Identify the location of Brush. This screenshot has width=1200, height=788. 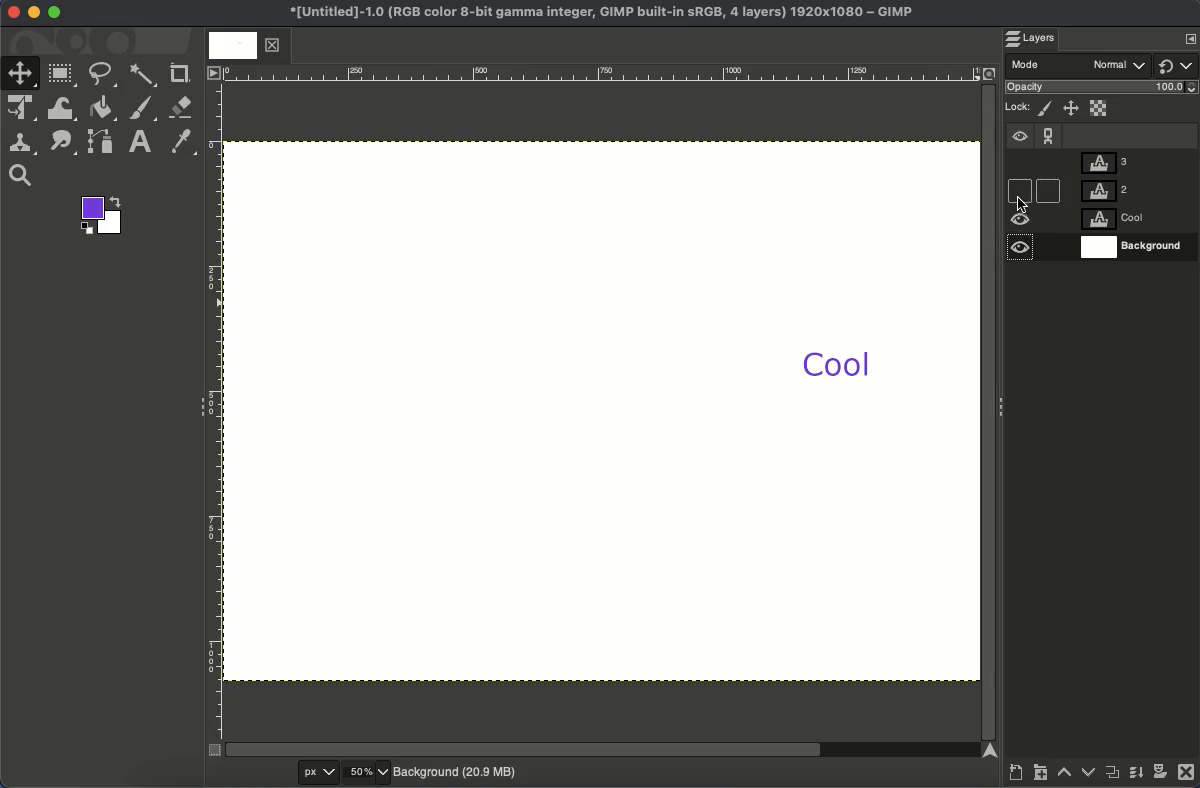
(143, 109).